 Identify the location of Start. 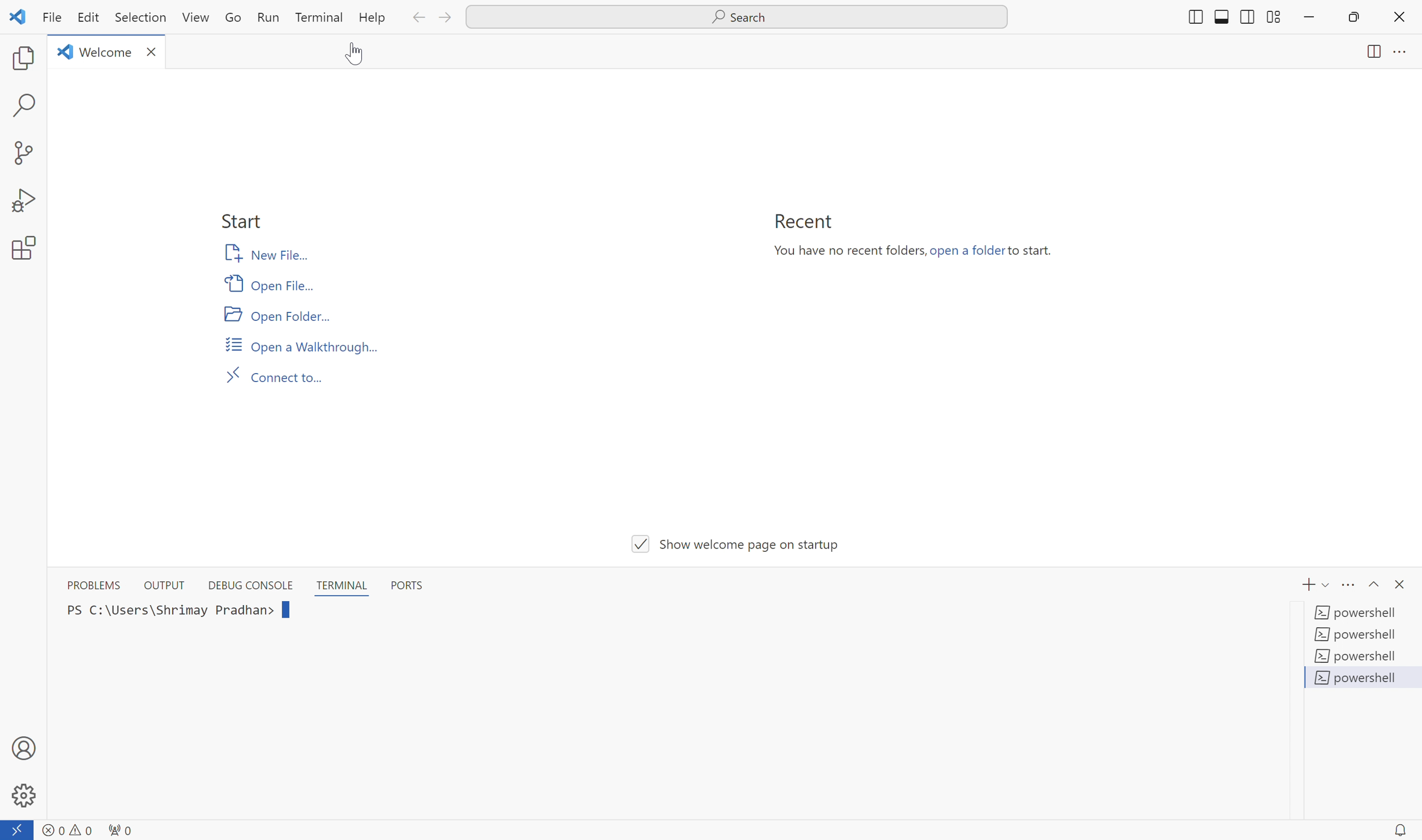
(249, 220).